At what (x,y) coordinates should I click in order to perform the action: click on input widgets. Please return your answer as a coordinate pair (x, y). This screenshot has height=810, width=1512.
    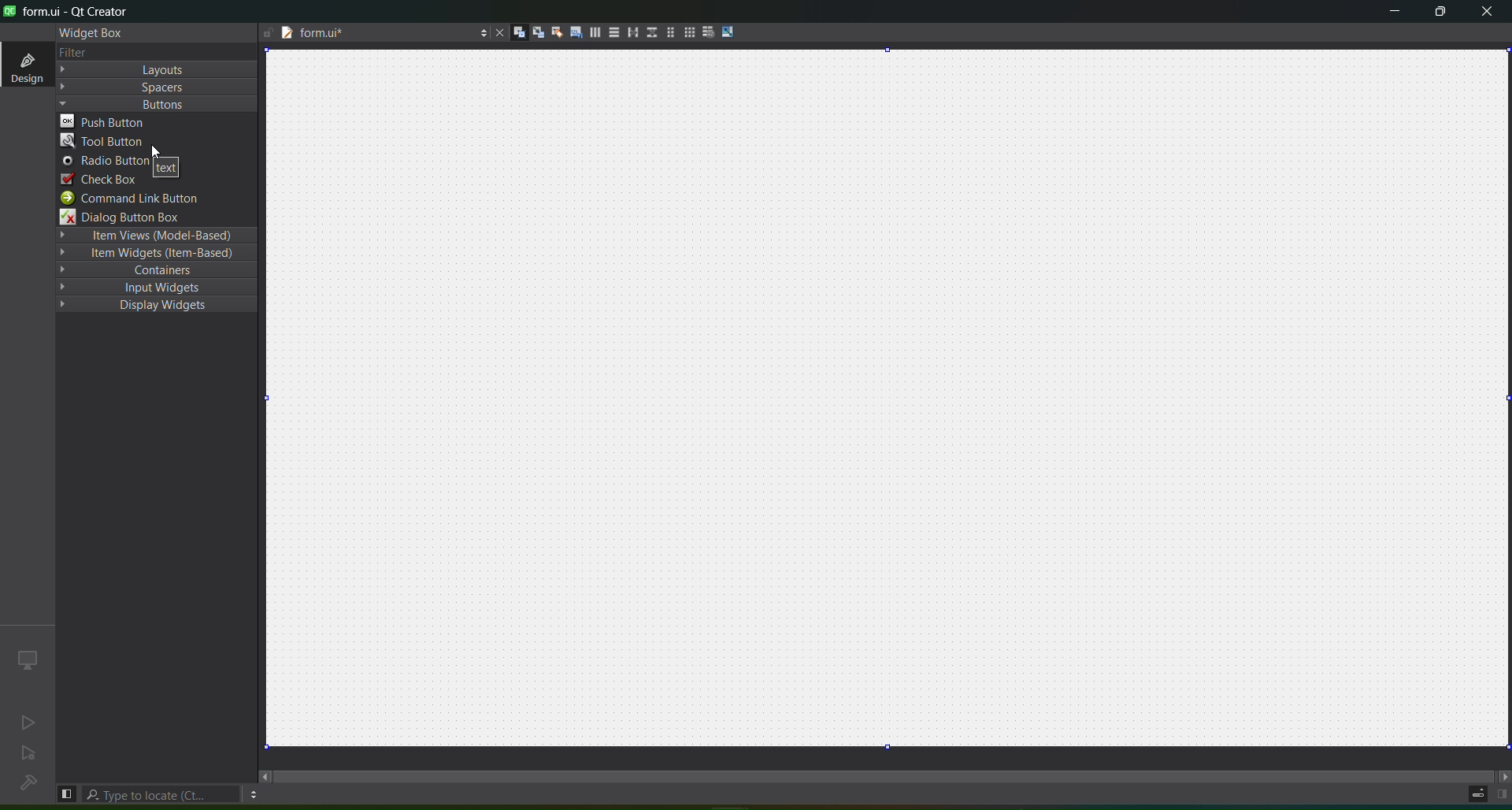
    Looking at the image, I should click on (156, 291).